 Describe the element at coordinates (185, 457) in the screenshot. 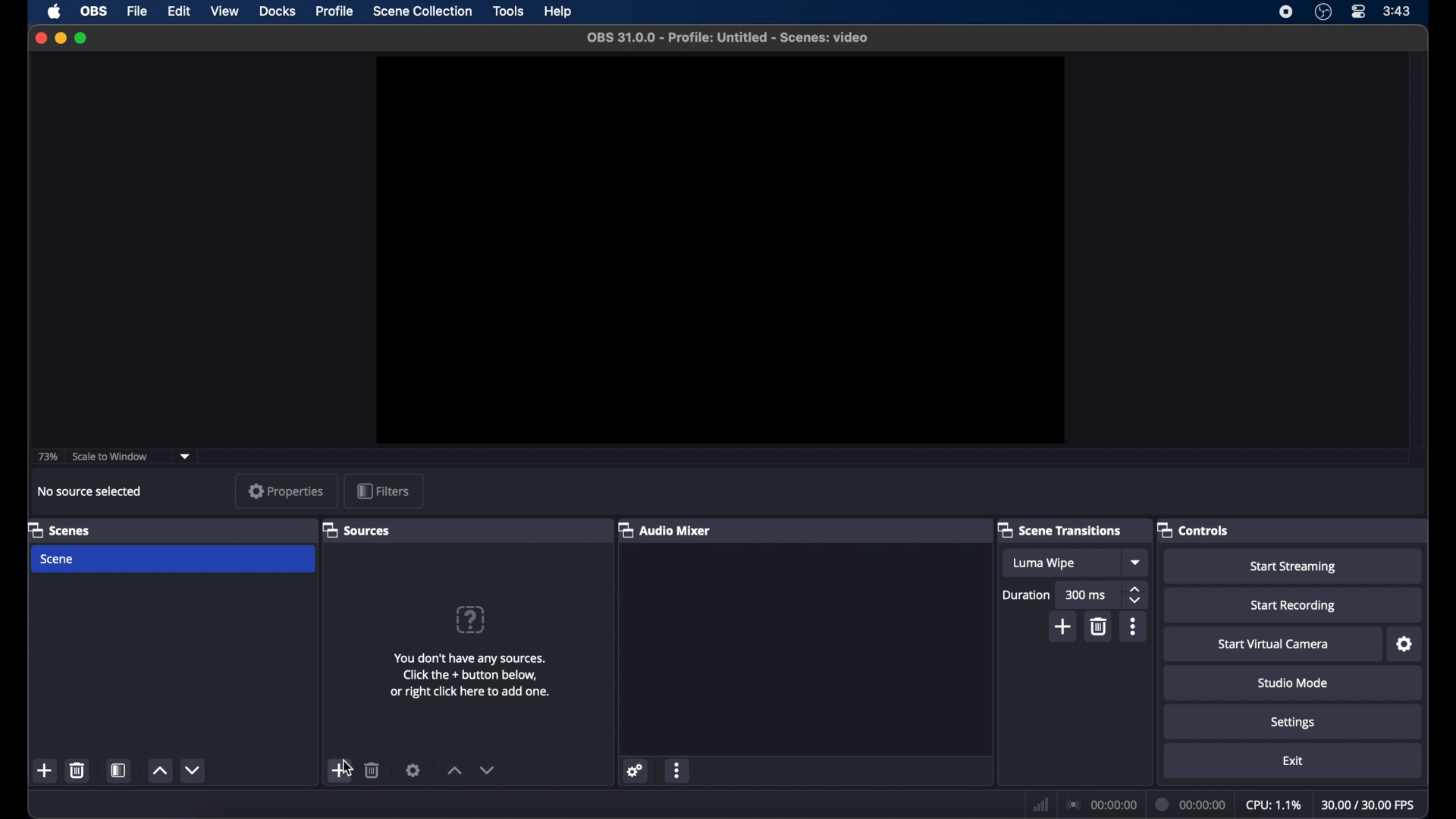

I see `dropdown` at that location.